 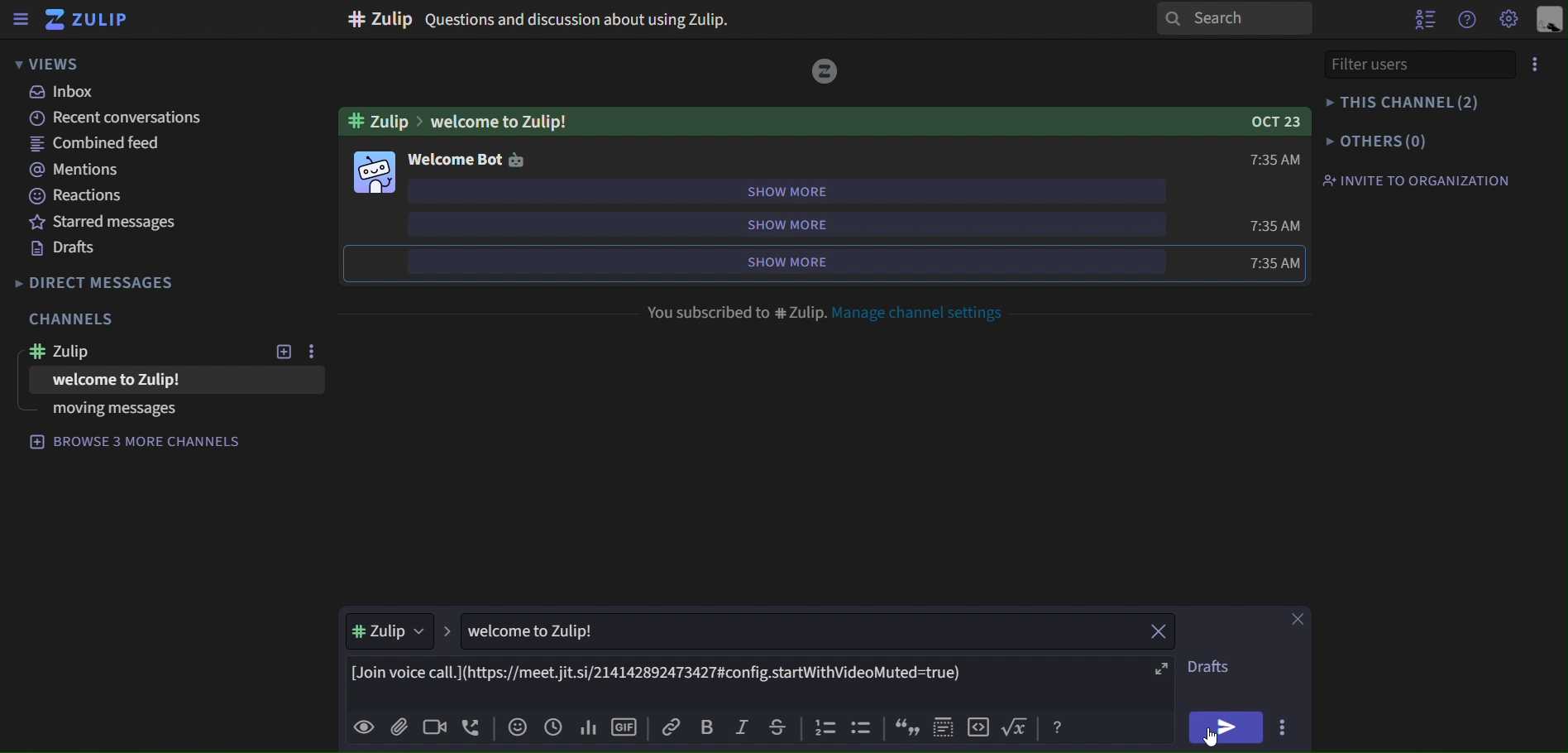 I want to click on sidebar, so click(x=22, y=21).